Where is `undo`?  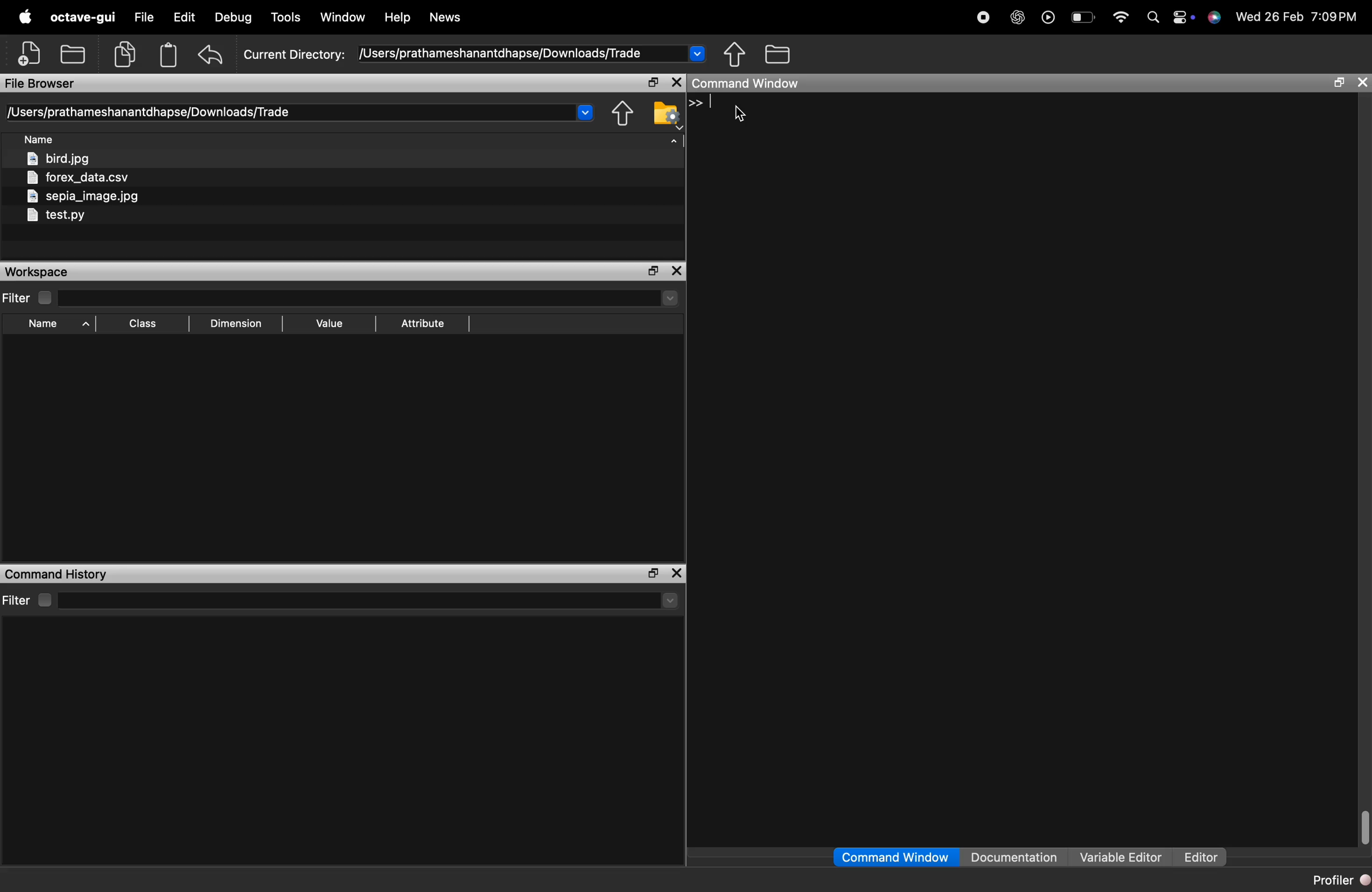 undo is located at coordinates (212, 54).